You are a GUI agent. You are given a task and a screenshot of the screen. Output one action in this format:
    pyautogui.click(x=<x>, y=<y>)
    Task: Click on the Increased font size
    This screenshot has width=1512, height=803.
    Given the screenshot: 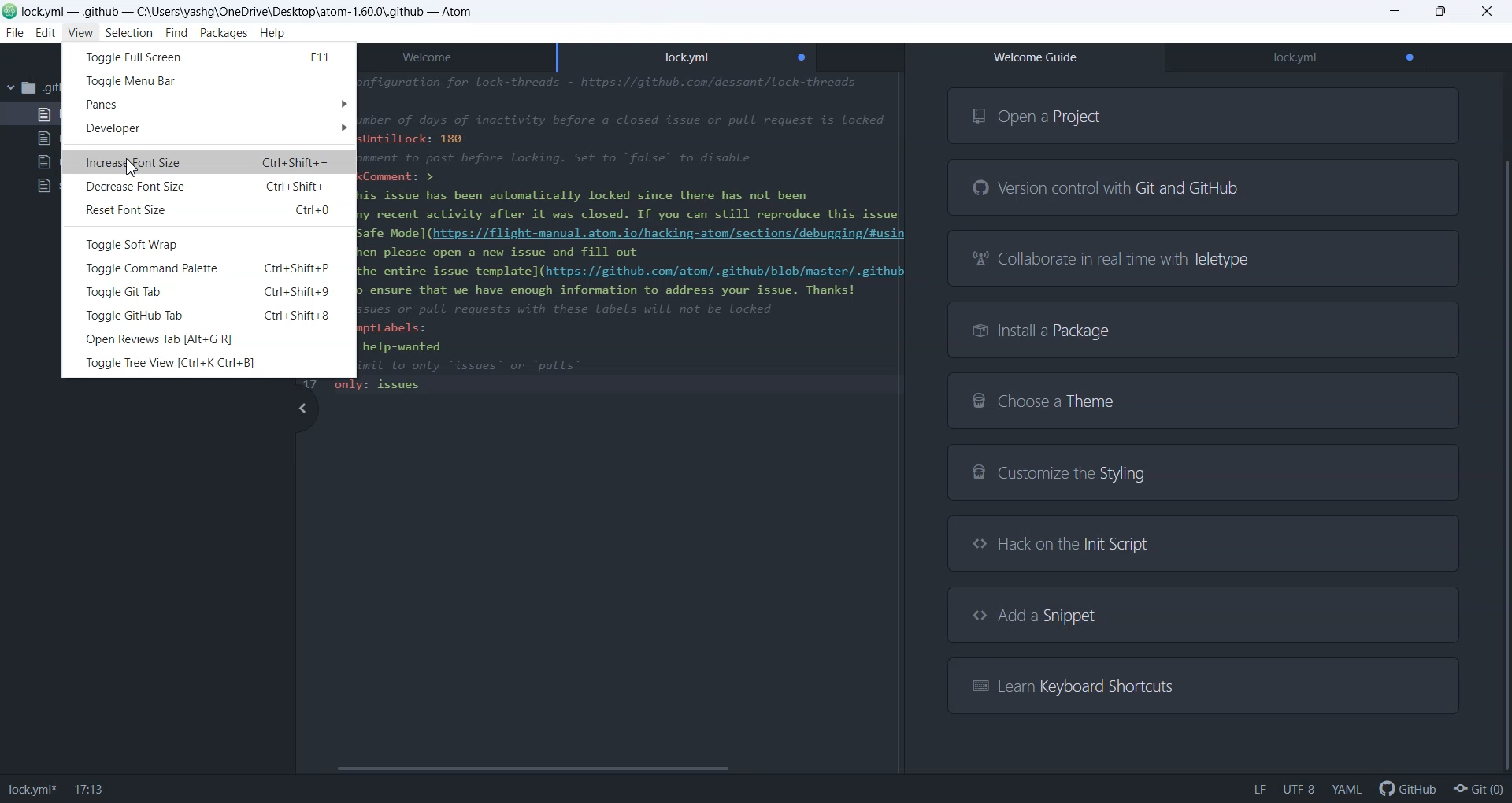 What is the action you would take?
    pyautogui.click(x=209, y=163)
    